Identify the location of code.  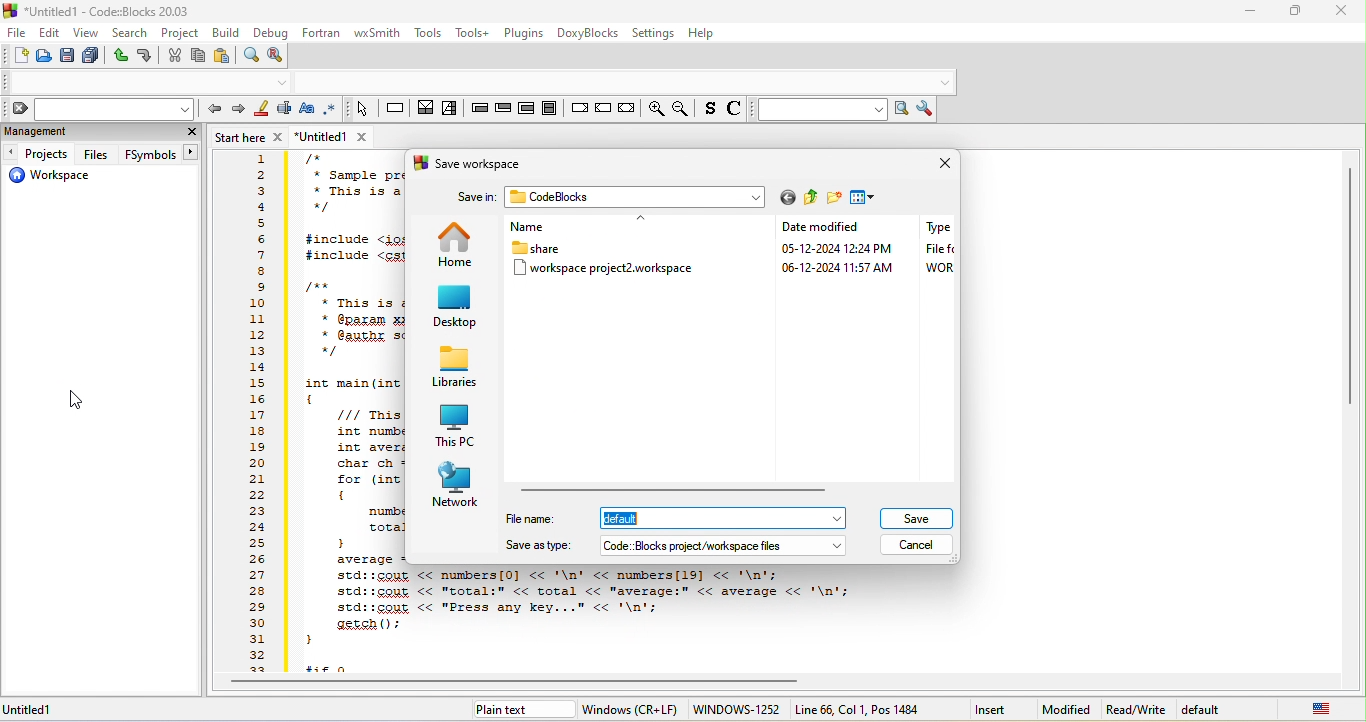
(621, 614).